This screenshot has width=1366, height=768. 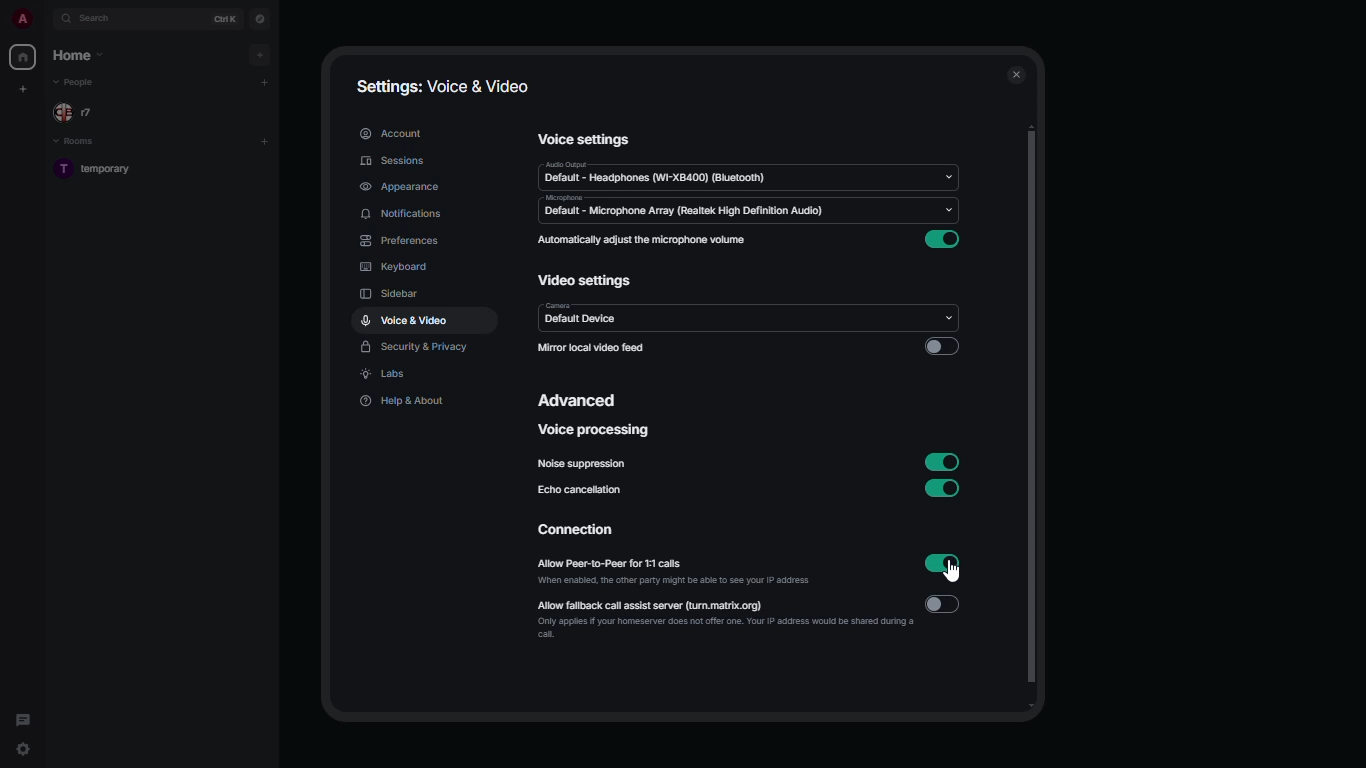 What do you see at coordinates (24, 718) in the screenshot?
I see `threads` at bounding box center [24, 718].